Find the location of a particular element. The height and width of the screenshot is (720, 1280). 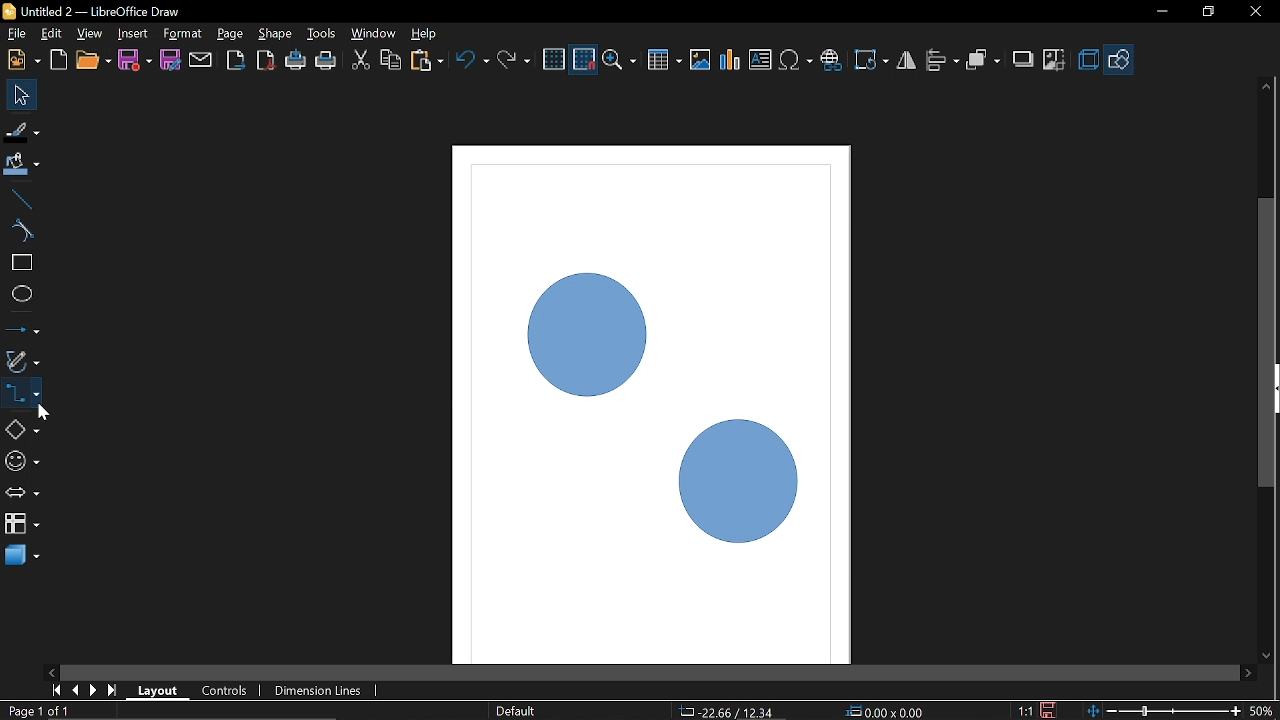

Insert hyperlink is located at coordinates (833, 61).